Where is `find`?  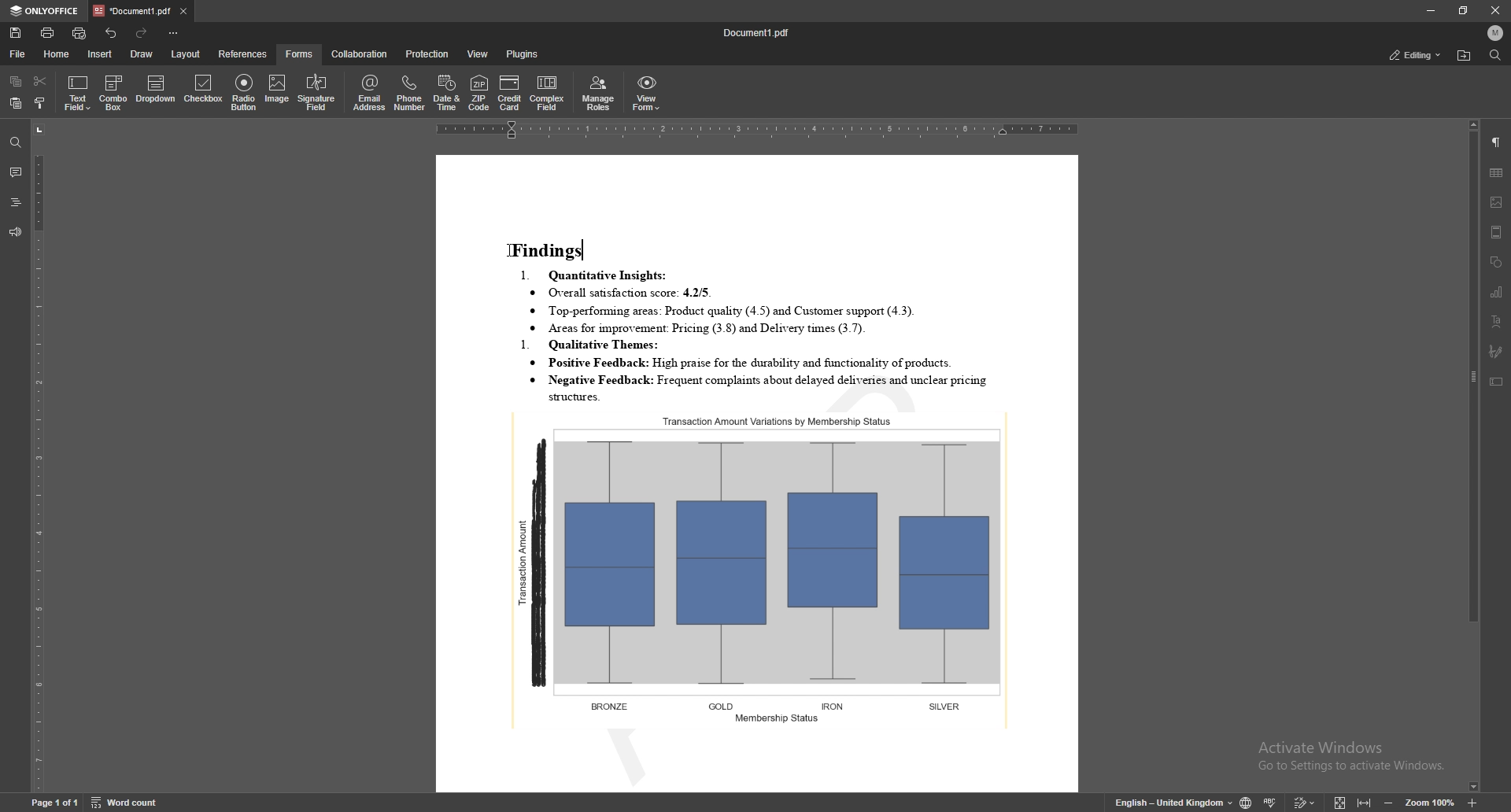 find is located at coordinates (1496, 56).